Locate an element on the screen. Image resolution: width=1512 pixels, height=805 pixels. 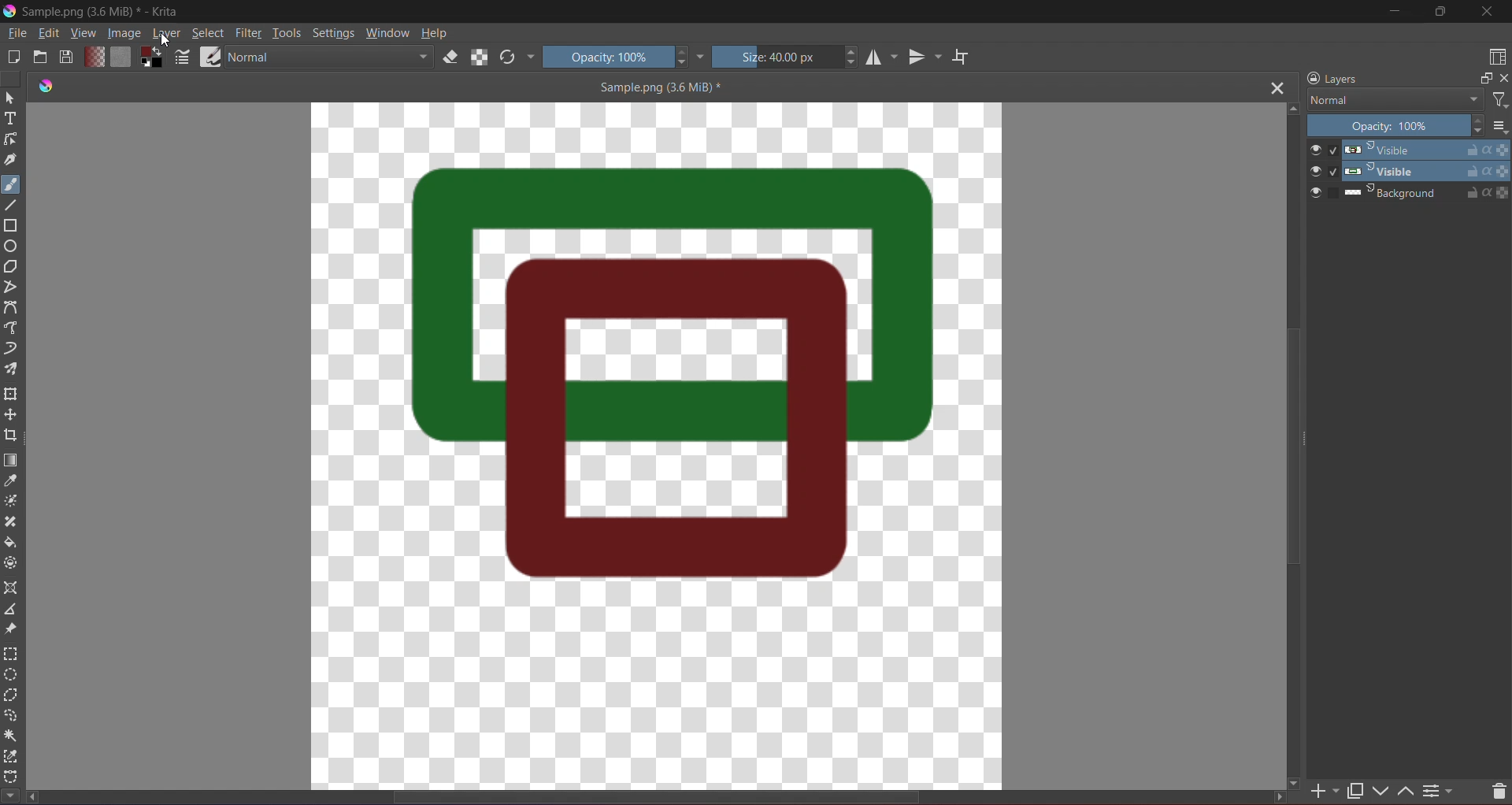
Bezier Curve Tool is located at coordinates (14, 309).